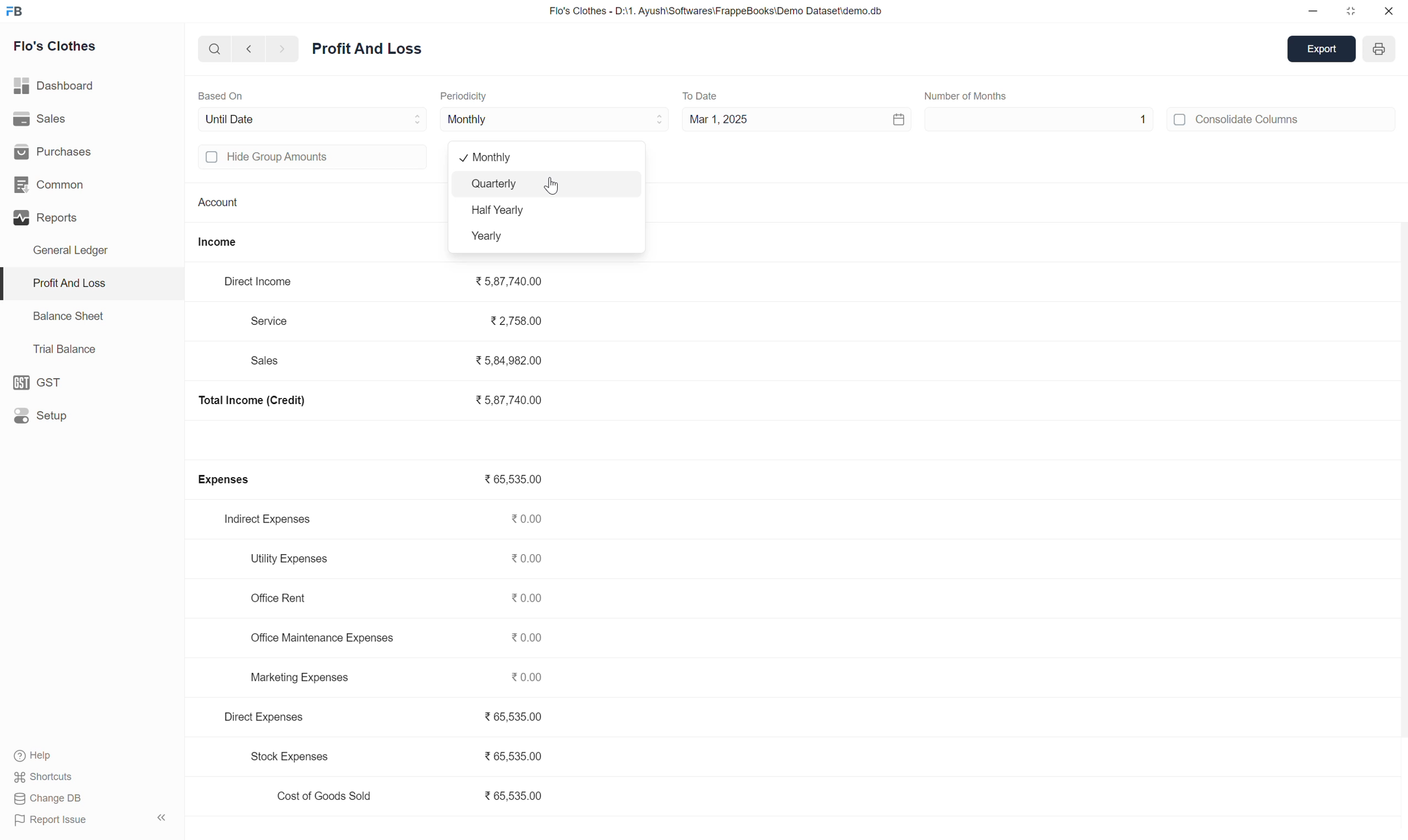 The image size is (1408, 840). What do you see at coordinates (278, 320) in the screenshot?
I see `Service` at bounding box center [278, 320].